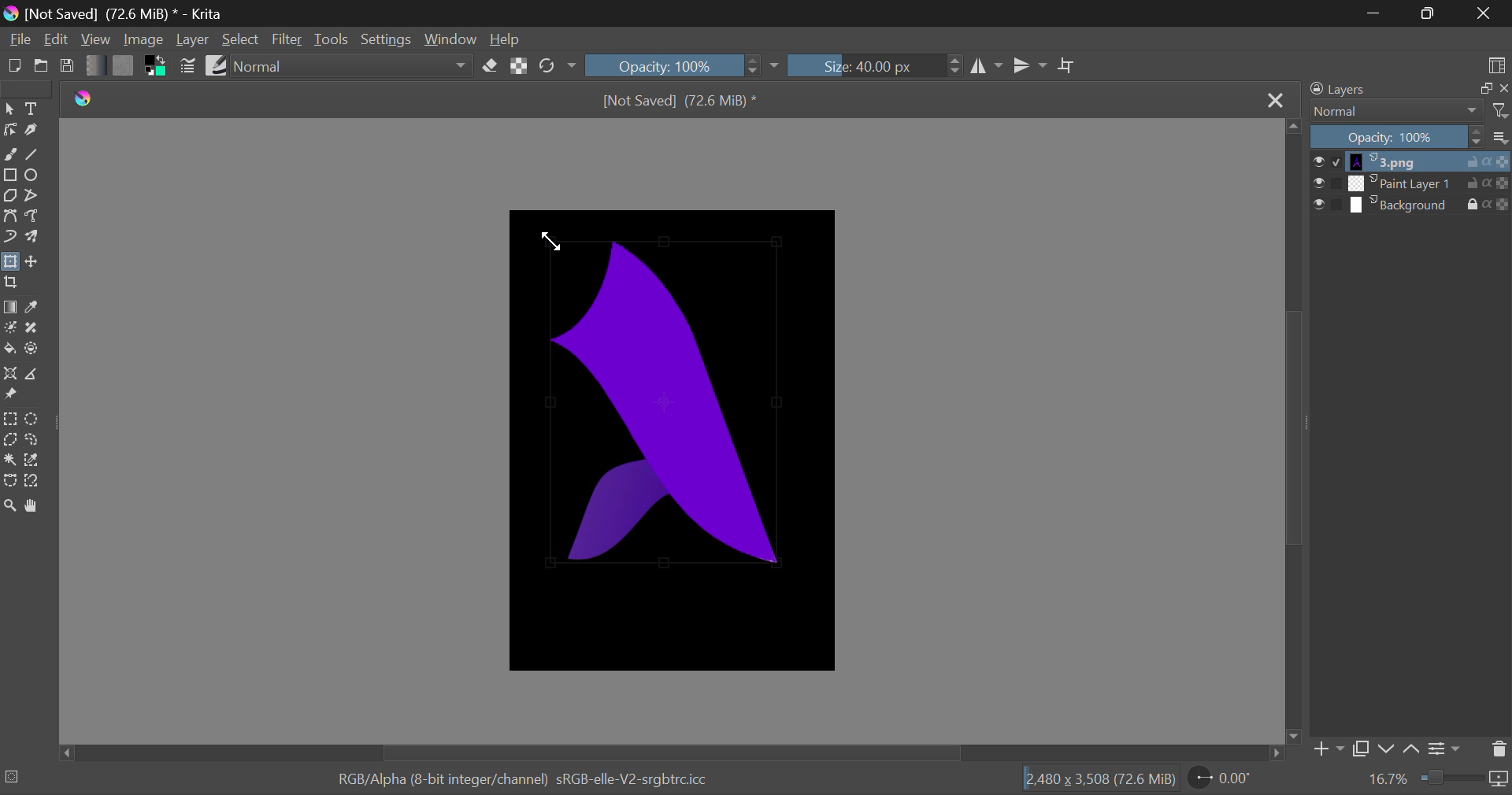  I want to click on Horizontal Mirror Flip, so click(1031, 65).